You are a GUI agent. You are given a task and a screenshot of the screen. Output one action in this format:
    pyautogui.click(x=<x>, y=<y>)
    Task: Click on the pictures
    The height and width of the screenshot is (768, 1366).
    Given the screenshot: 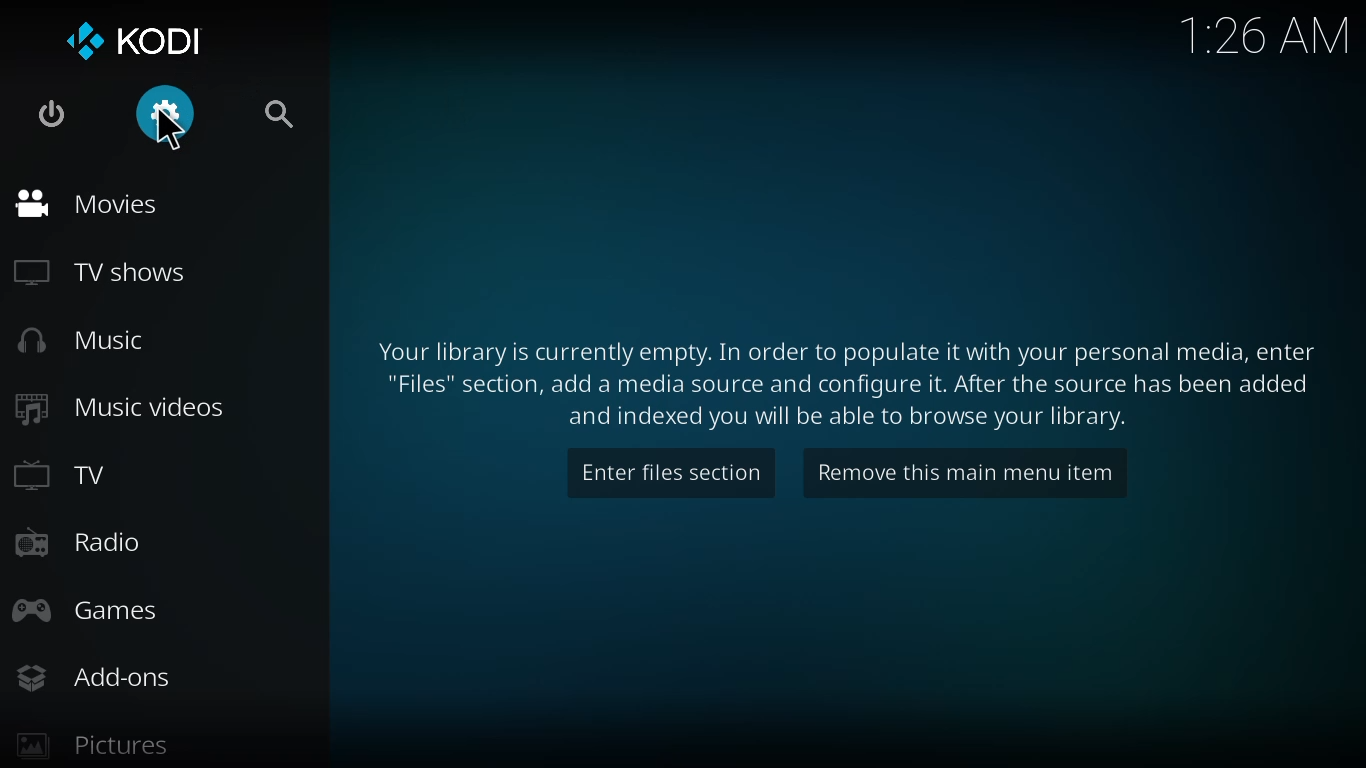 What is the action you would take?
    pyautogui.click(x=91, y=746)
    